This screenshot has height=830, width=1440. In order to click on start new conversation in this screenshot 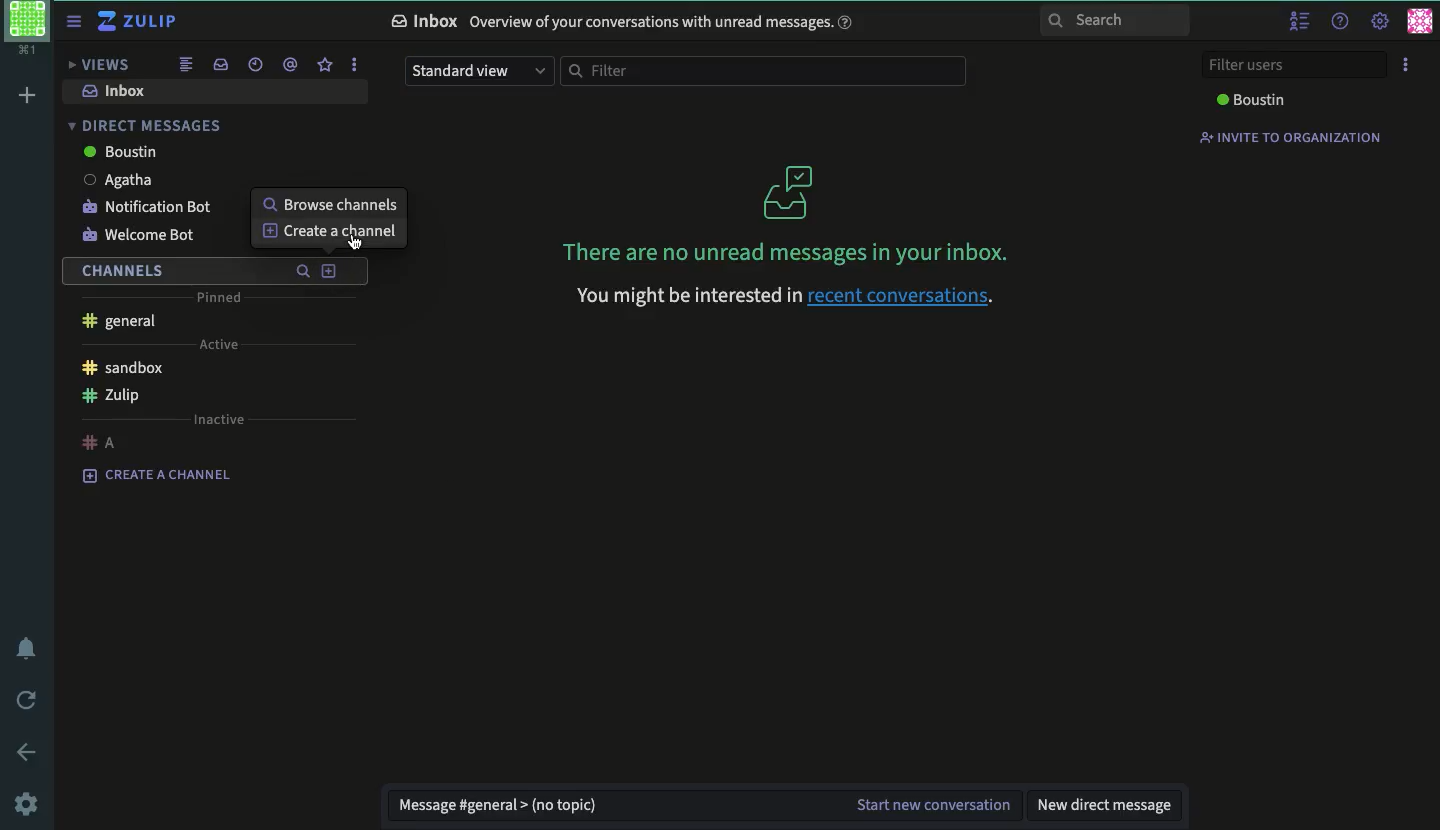, I will do `click(937, 805)`.